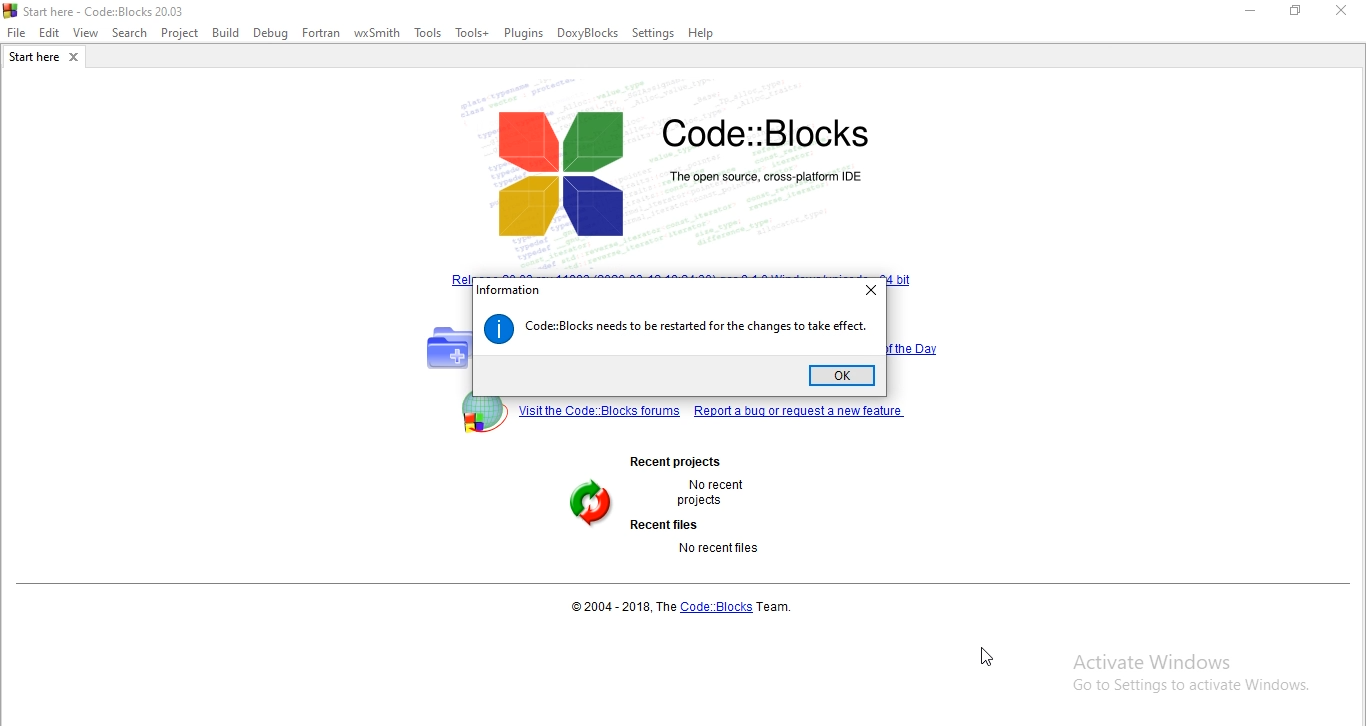 This screenshot has width=1366, height=726. Describe the element at coordinates (269, 34) in the screenshot. I see `Debug` at that location.